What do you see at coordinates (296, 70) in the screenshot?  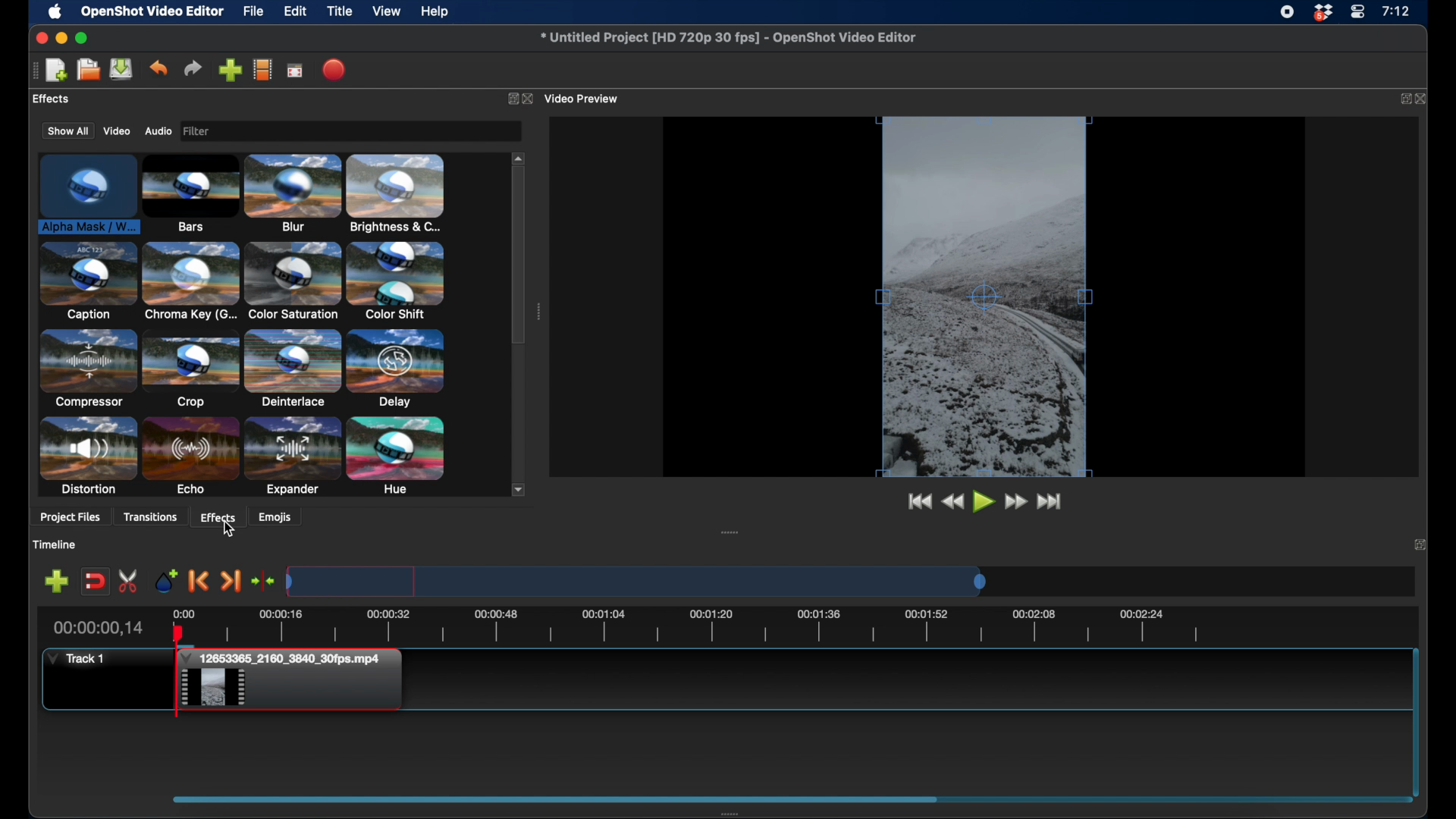 I see `fullscreen` at bounding box center [296, 70].